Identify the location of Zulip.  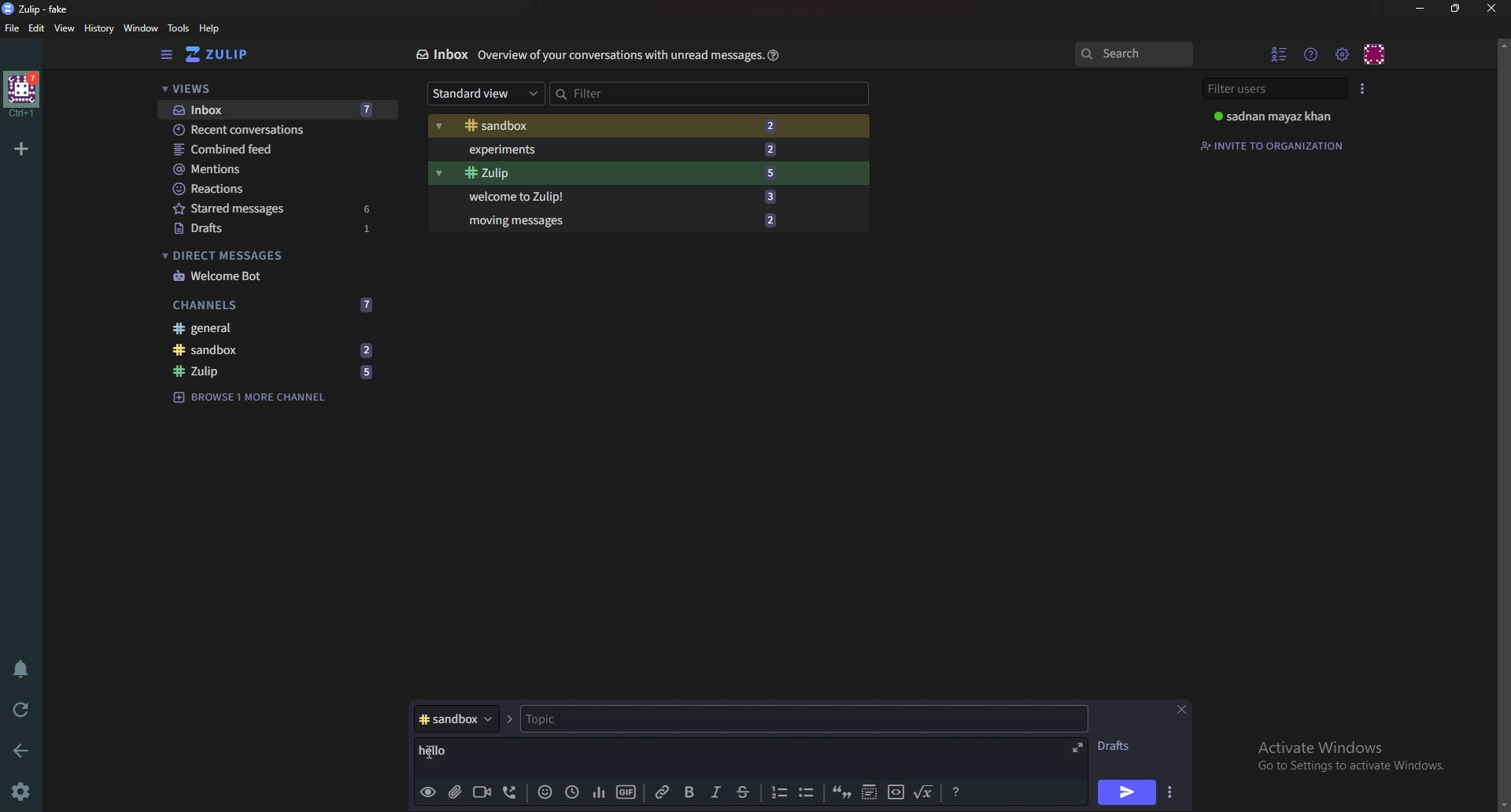
(272, 370).